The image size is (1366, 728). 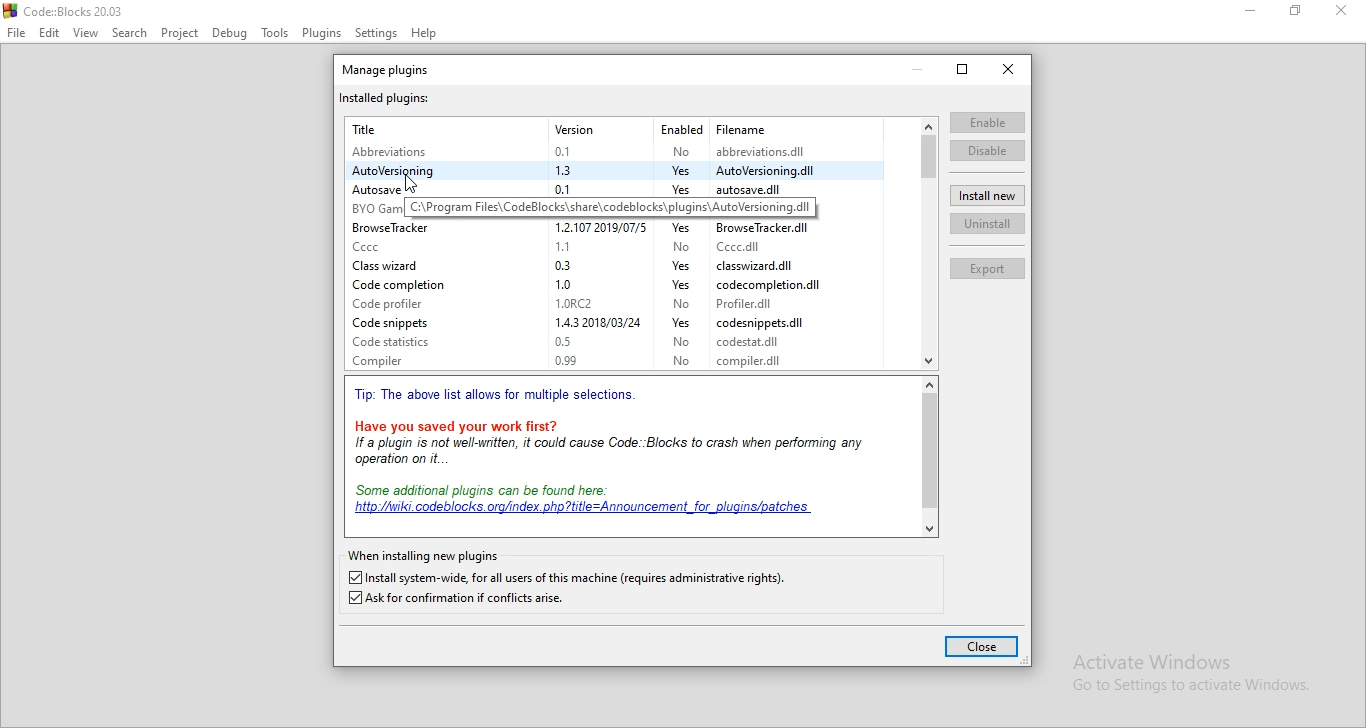 What do you see at coordinates (1182, 686) in the screenshot?
I see `Go to Settings to activate Windows` at bounding box center [1182, 686].